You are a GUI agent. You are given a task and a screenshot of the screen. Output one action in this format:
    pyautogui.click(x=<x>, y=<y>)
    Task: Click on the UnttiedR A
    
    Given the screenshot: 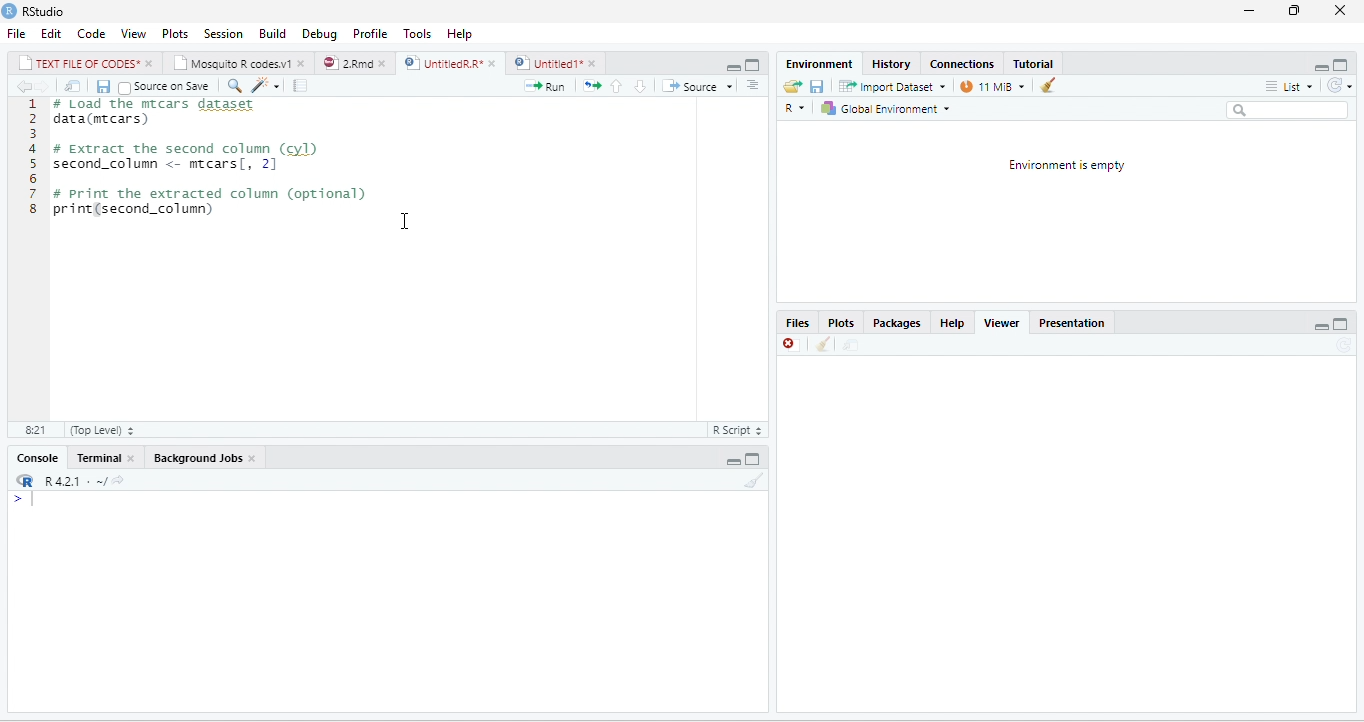 What is the action you would take?
    pyautogui.click(x=443, y=62)
    